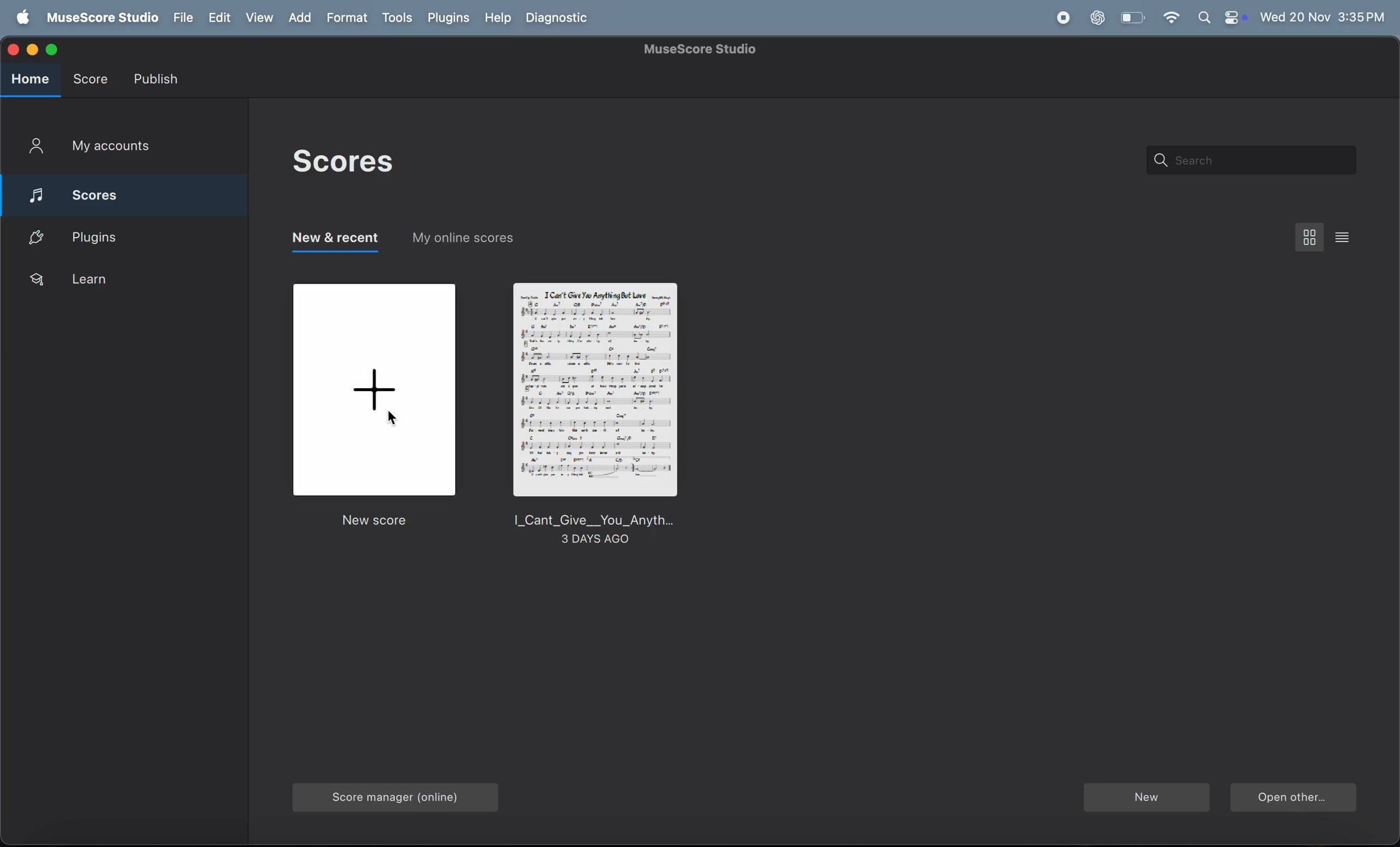  Describe the element at coordinates (35, 48) in the screenshot. I see `minimize` at that location.